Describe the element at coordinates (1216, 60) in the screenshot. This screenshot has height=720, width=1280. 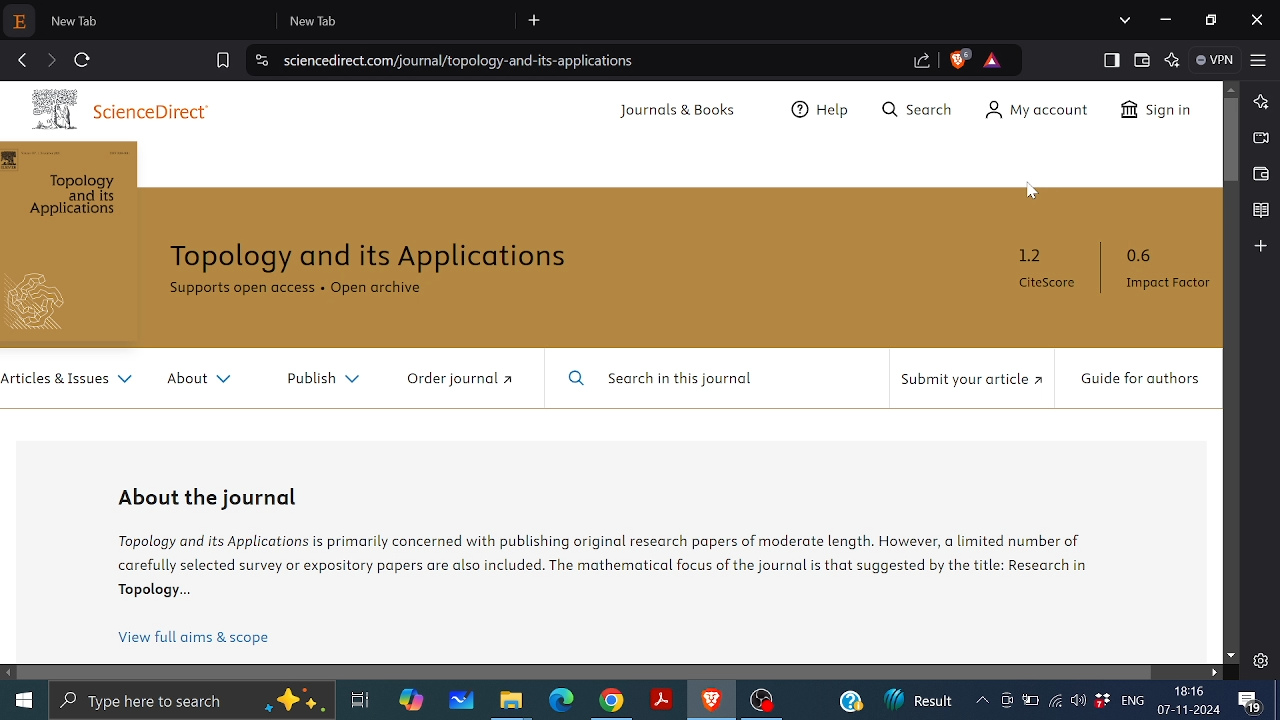
I see `VPN` at that location.